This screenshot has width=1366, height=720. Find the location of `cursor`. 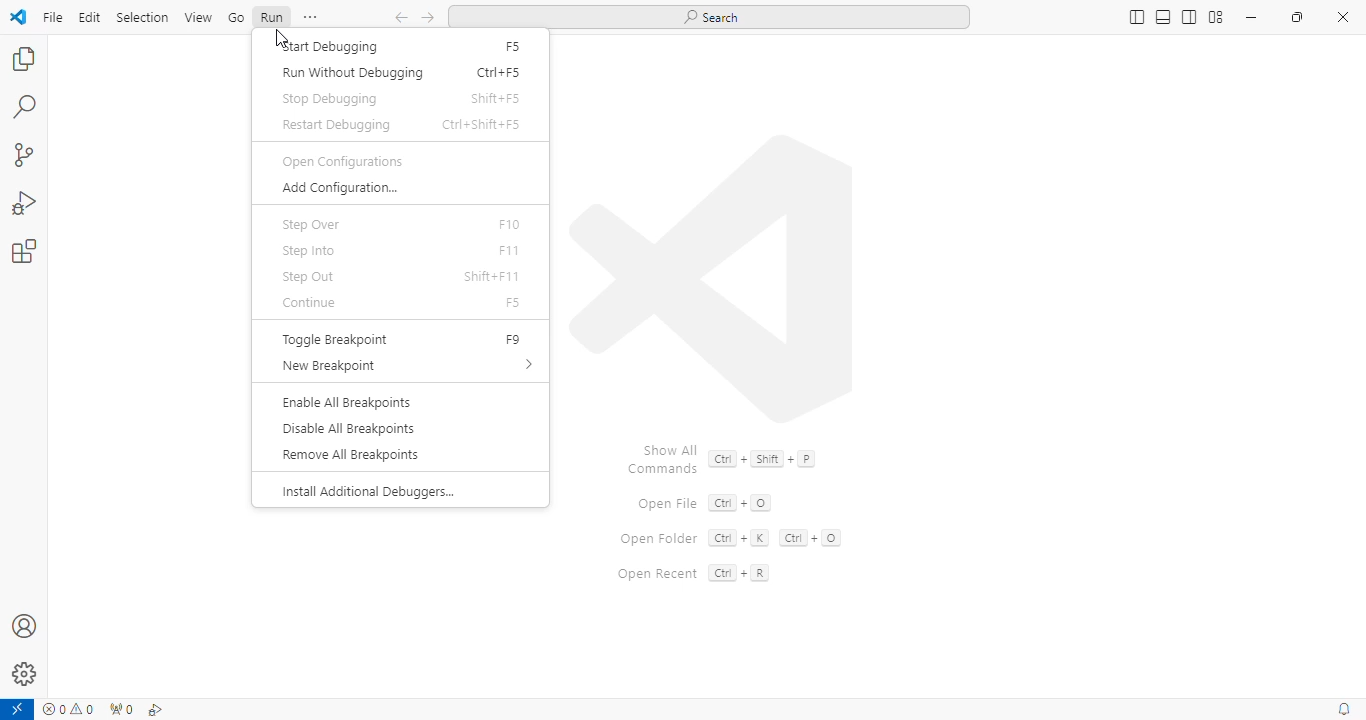

cursor is located at coordinates (284, 38).